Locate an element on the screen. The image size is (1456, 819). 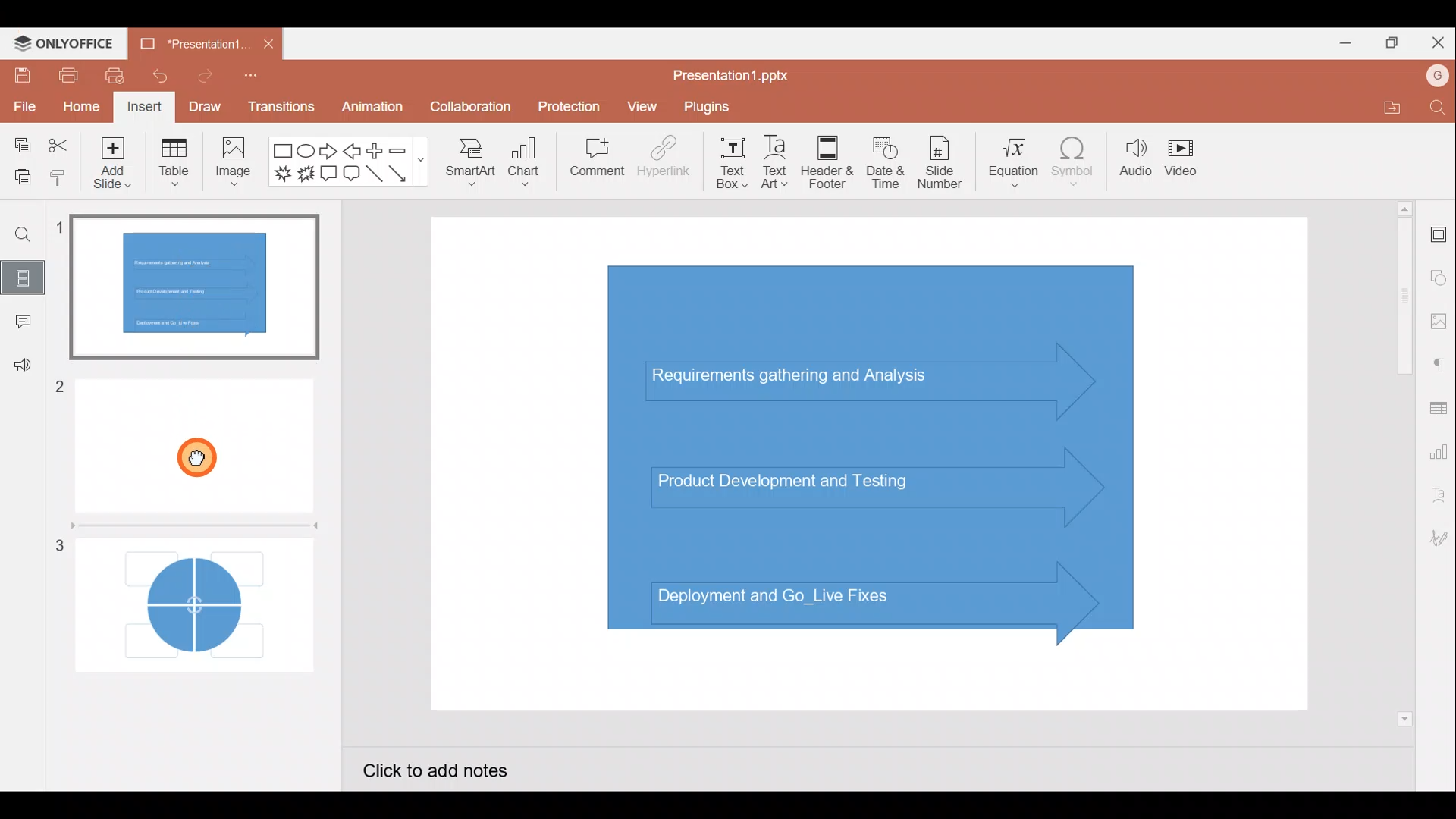
Audio is located at coordinates (1132, 163).